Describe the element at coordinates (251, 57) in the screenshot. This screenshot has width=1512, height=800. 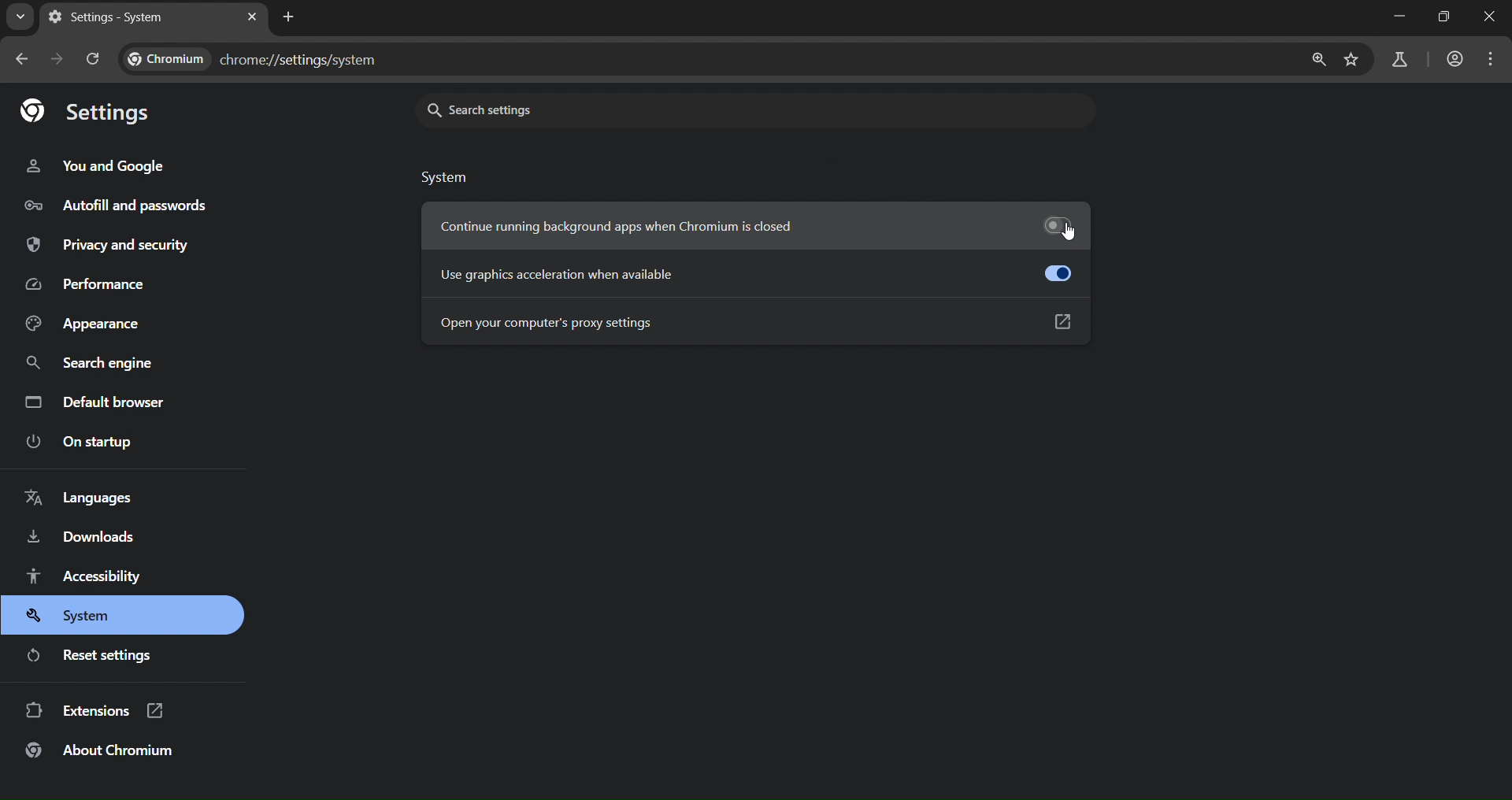
I see `chrome://settings/system` at that location.